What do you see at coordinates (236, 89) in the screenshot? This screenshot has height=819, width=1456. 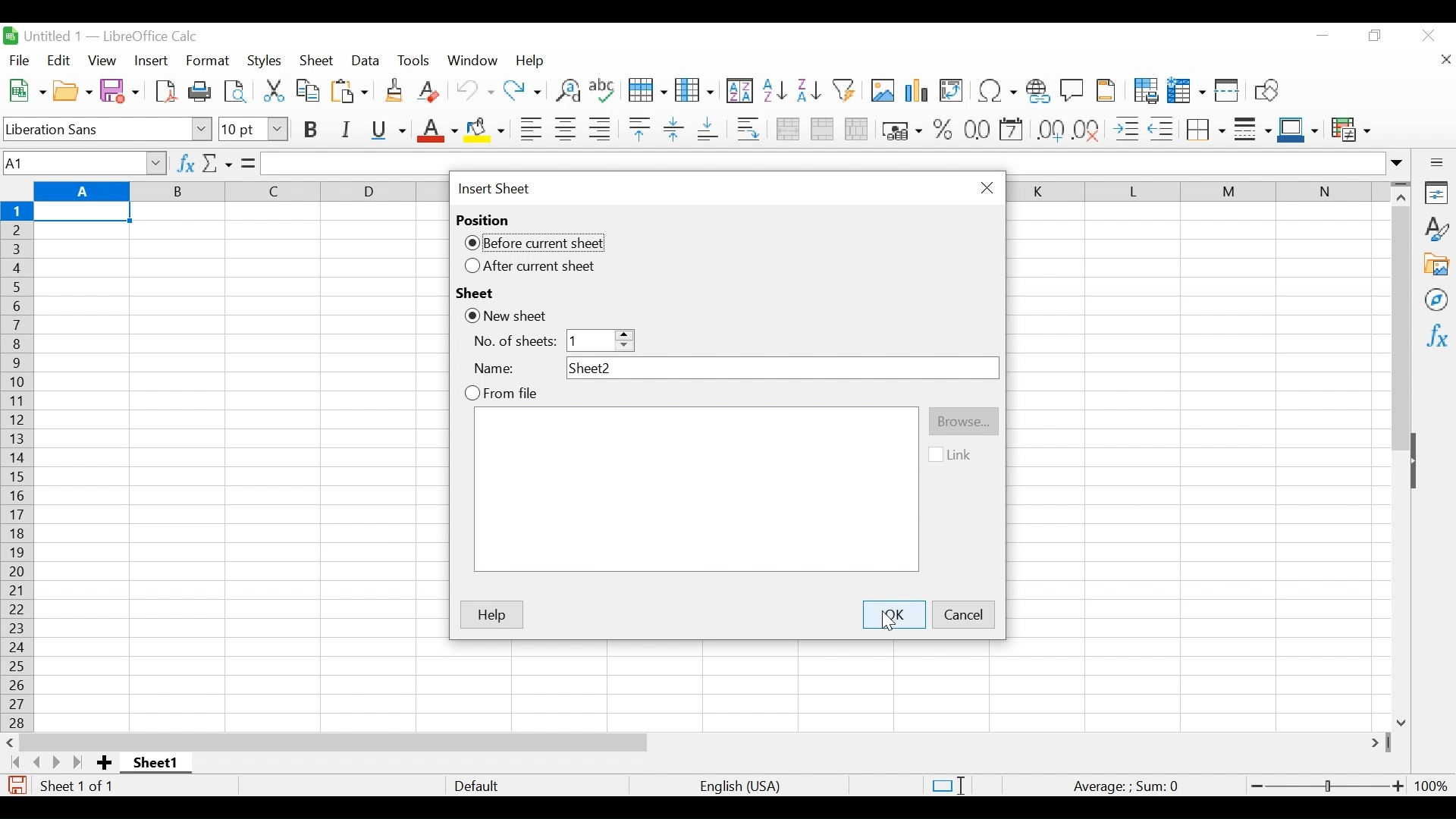 I see `Toggle print view` at bounding box center [236, 89].